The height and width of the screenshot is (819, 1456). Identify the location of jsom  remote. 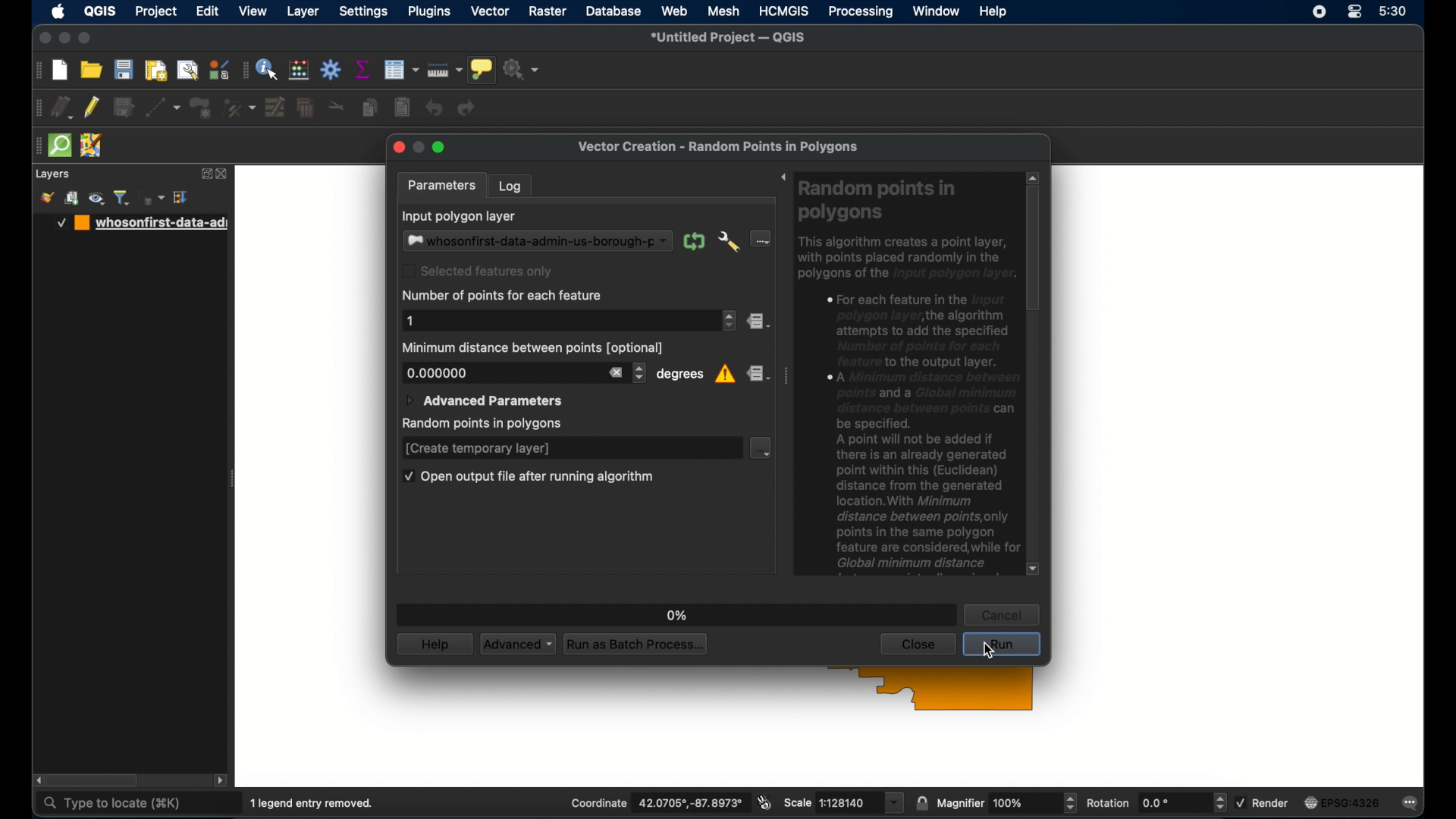
(92, 146).